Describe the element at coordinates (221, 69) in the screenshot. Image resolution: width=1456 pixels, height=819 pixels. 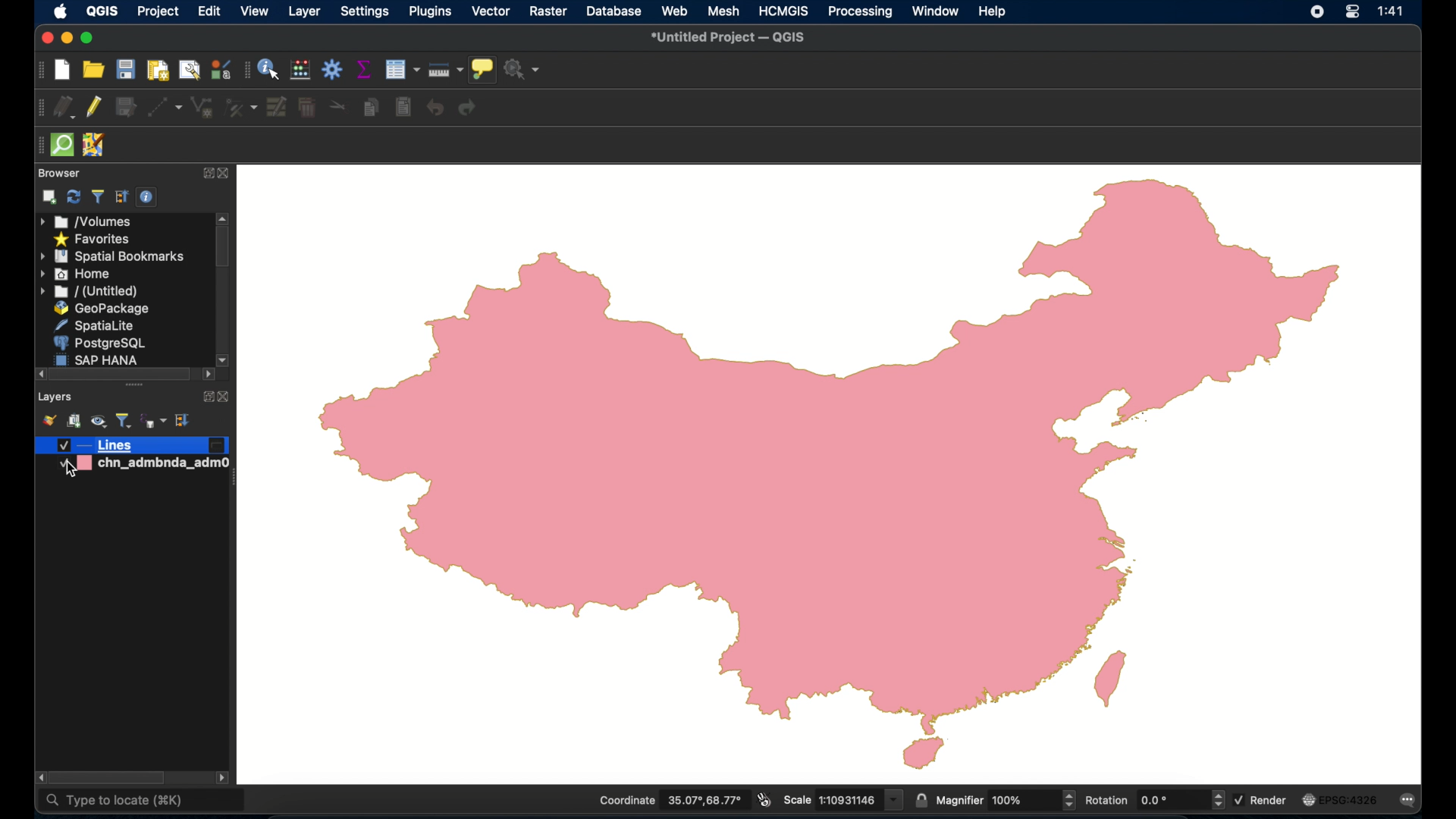
I see `styling manager` at that location.